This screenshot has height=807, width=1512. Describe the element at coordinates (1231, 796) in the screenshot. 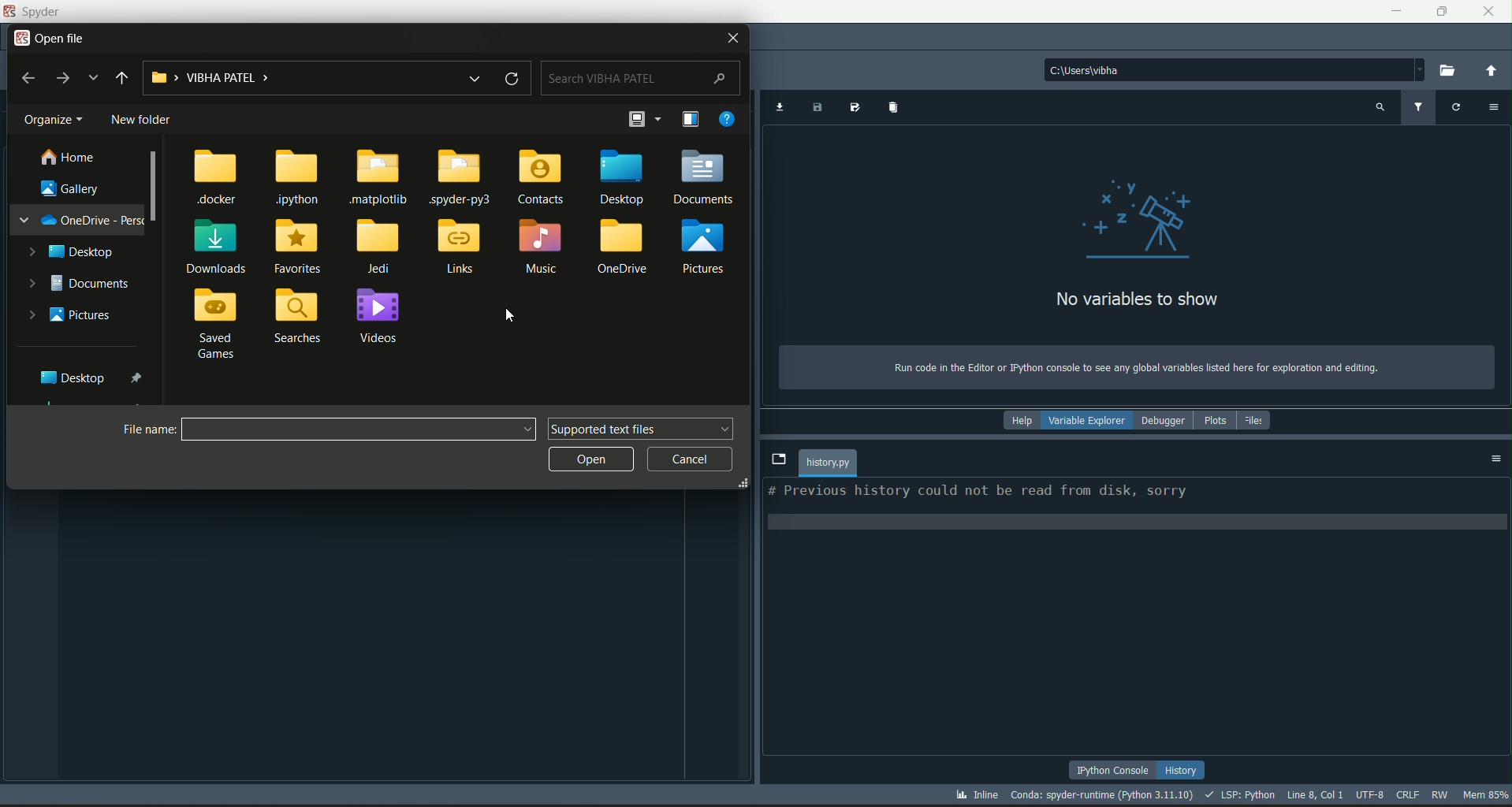

I see `stats` at that location.